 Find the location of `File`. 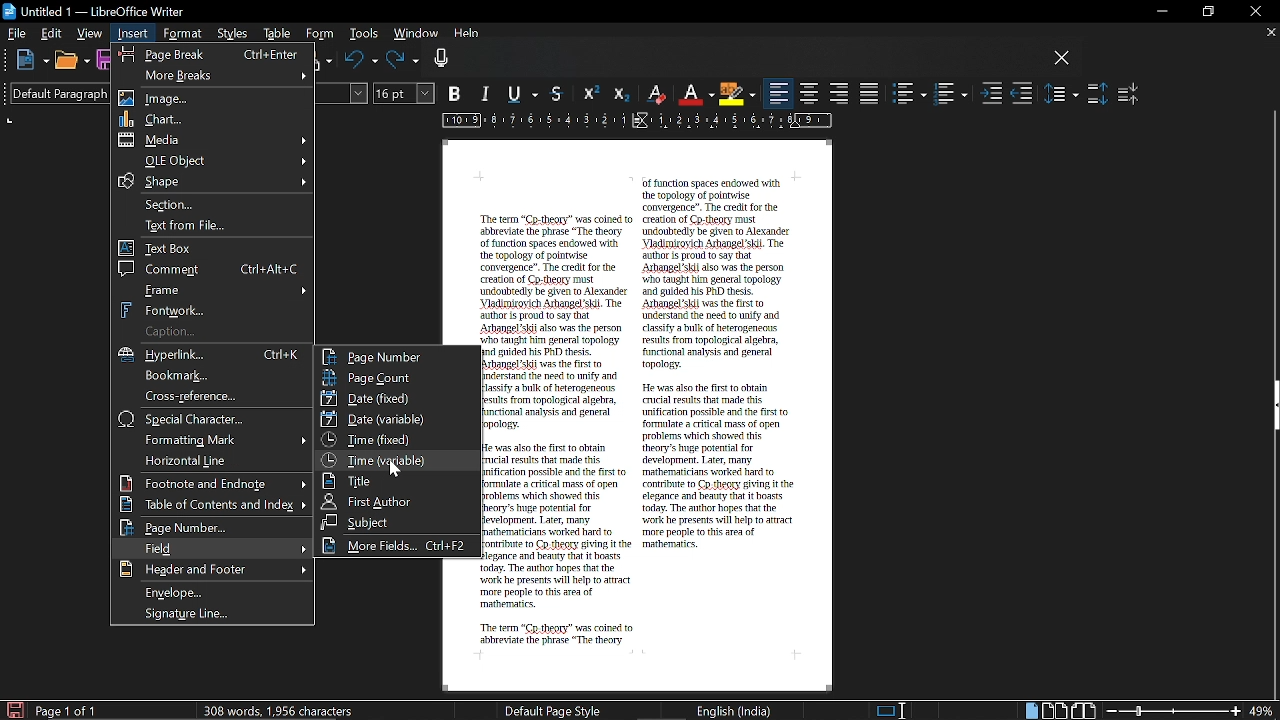

File is located at coordinates (17, 32).